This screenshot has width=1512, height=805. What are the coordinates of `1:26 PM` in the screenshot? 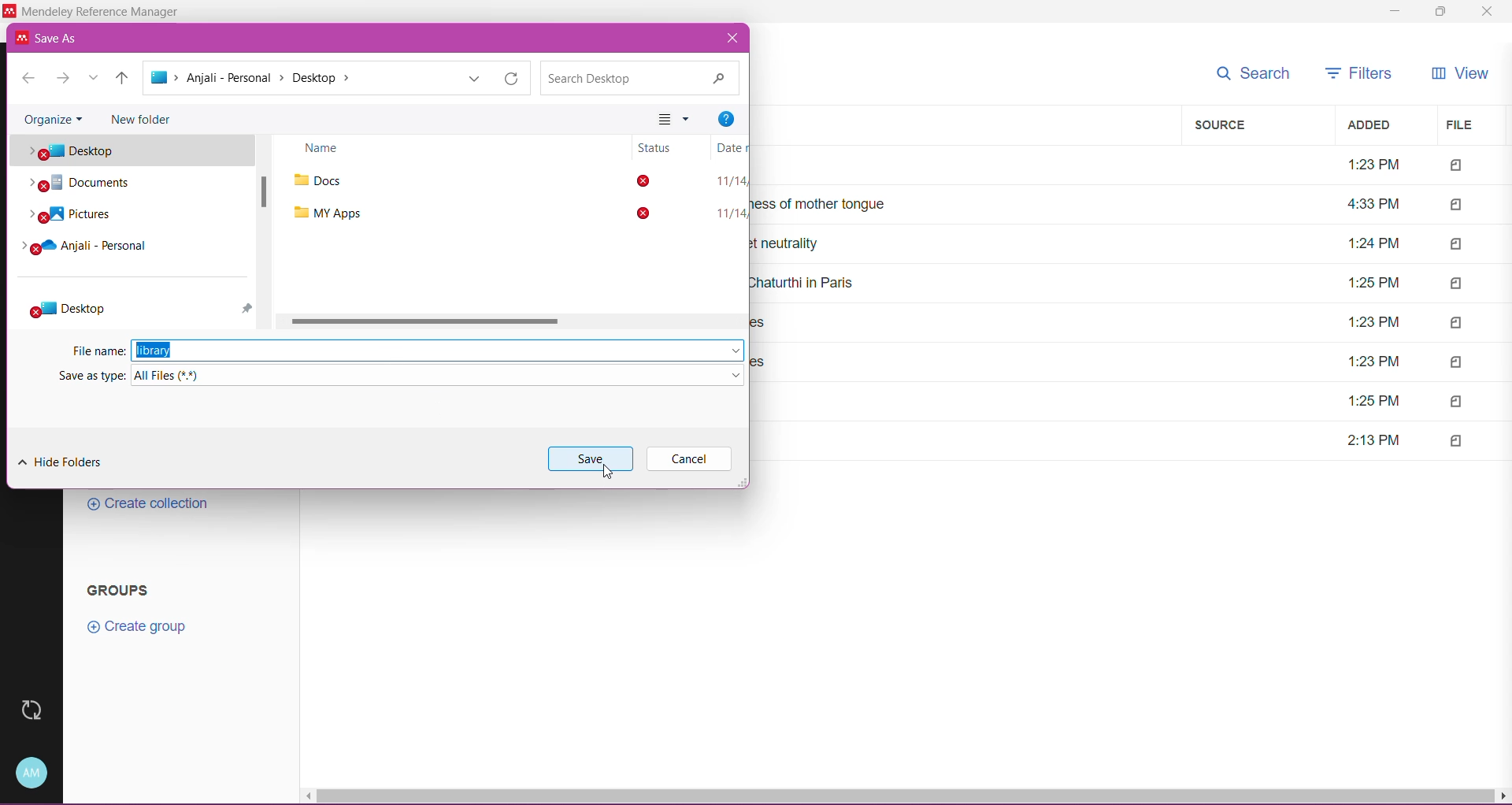 It's located at (1377, 280).